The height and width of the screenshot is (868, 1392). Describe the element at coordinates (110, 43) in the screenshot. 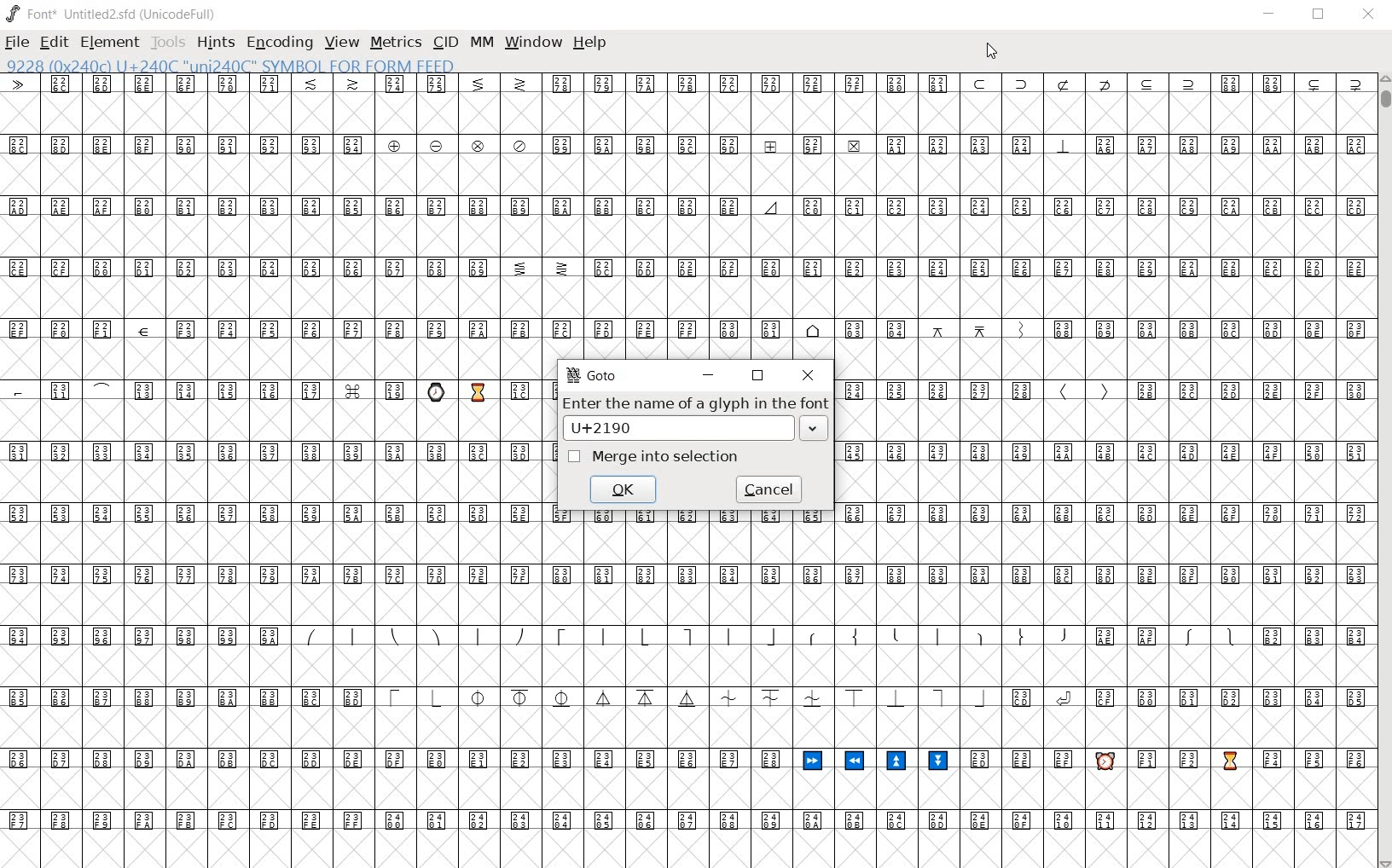

I see `Element` at that location.